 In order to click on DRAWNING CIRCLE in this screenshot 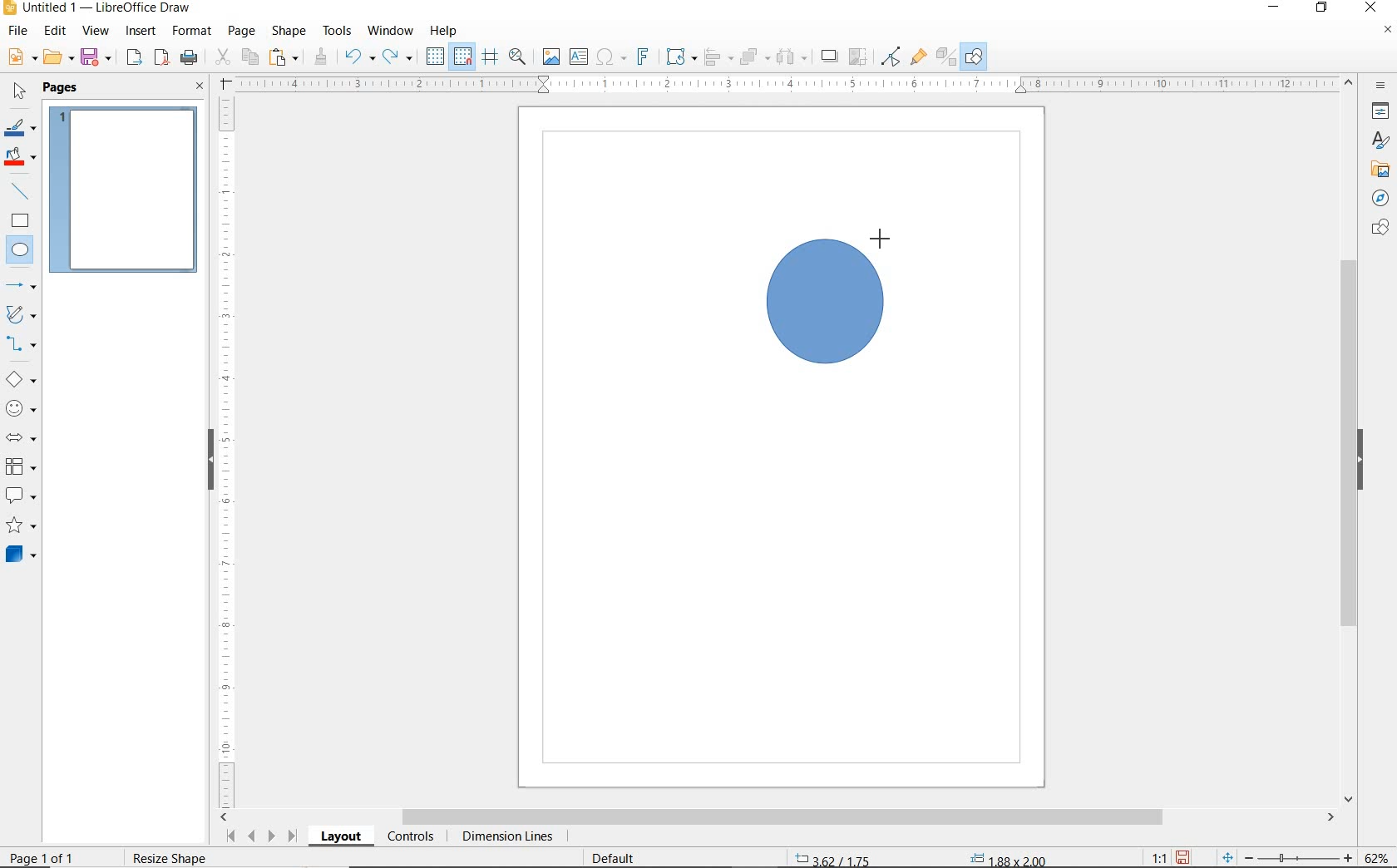, I will do `click(828, 303)`.